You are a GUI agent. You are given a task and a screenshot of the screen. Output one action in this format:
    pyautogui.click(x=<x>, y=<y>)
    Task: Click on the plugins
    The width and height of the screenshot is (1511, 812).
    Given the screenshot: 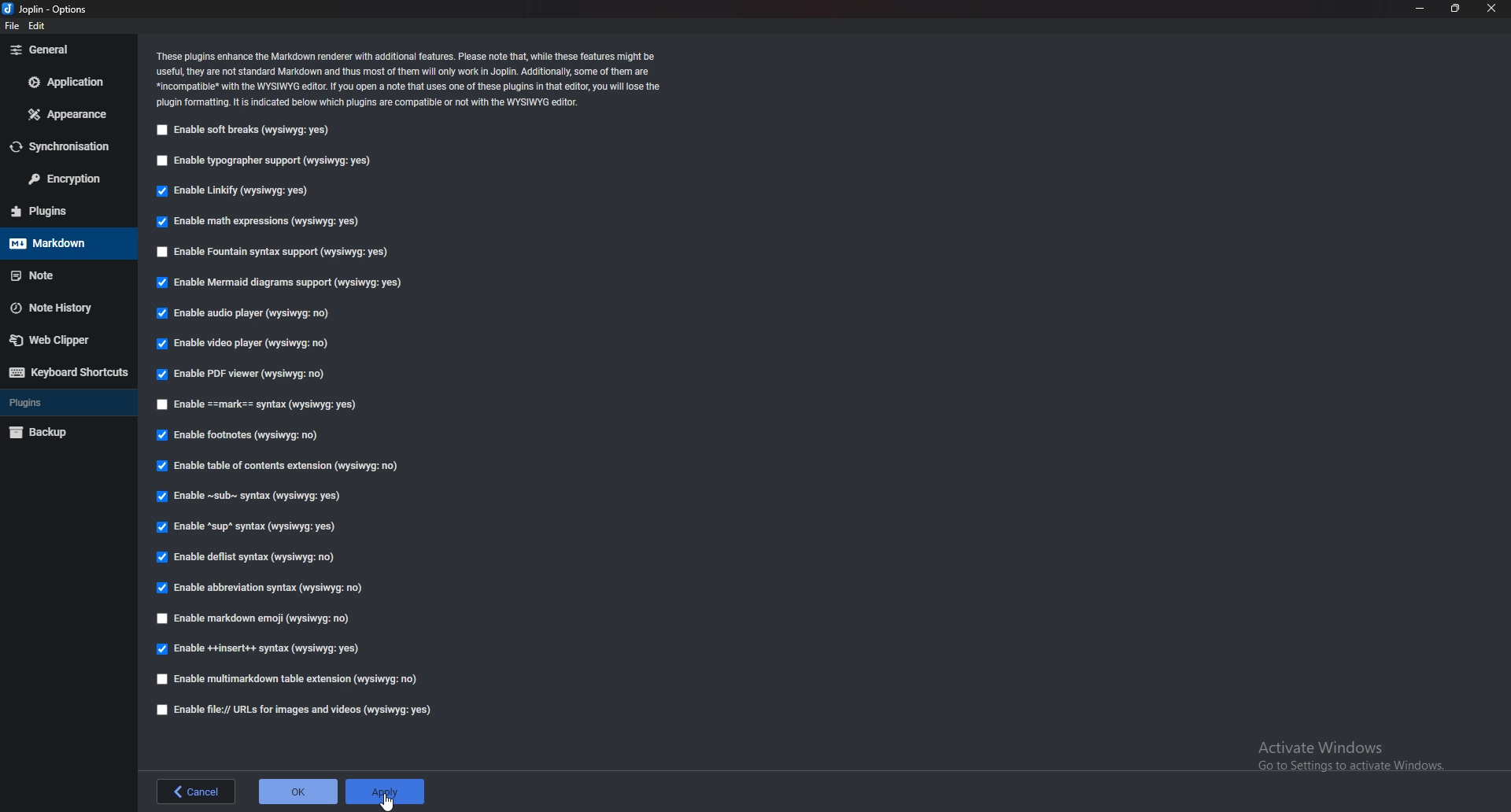 What is the action you would take?
    pyautogui.click(x=64, y=211)
    